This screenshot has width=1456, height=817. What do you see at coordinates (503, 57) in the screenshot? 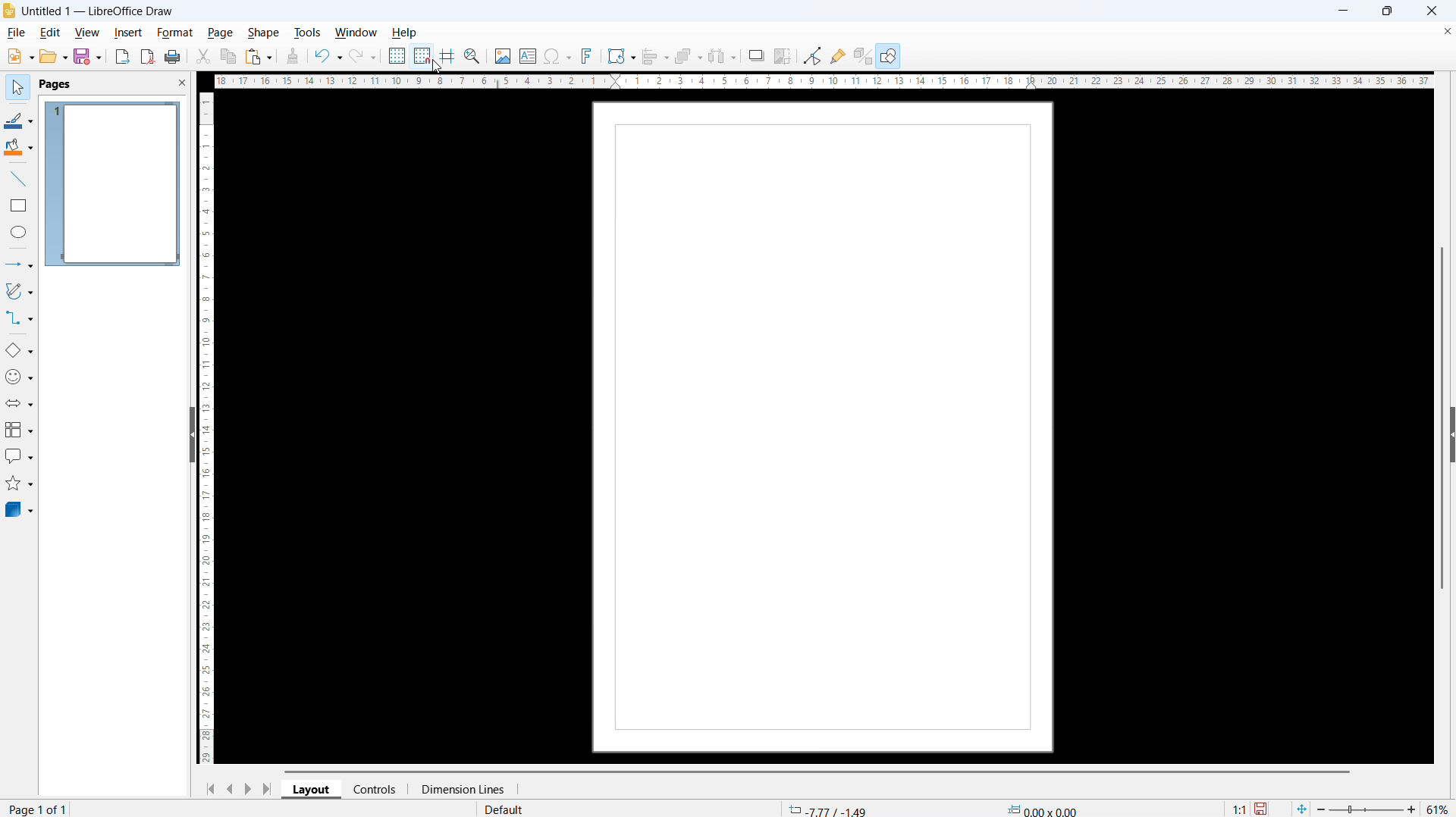
I see `Insert image ` at bounding box center [503, 57].